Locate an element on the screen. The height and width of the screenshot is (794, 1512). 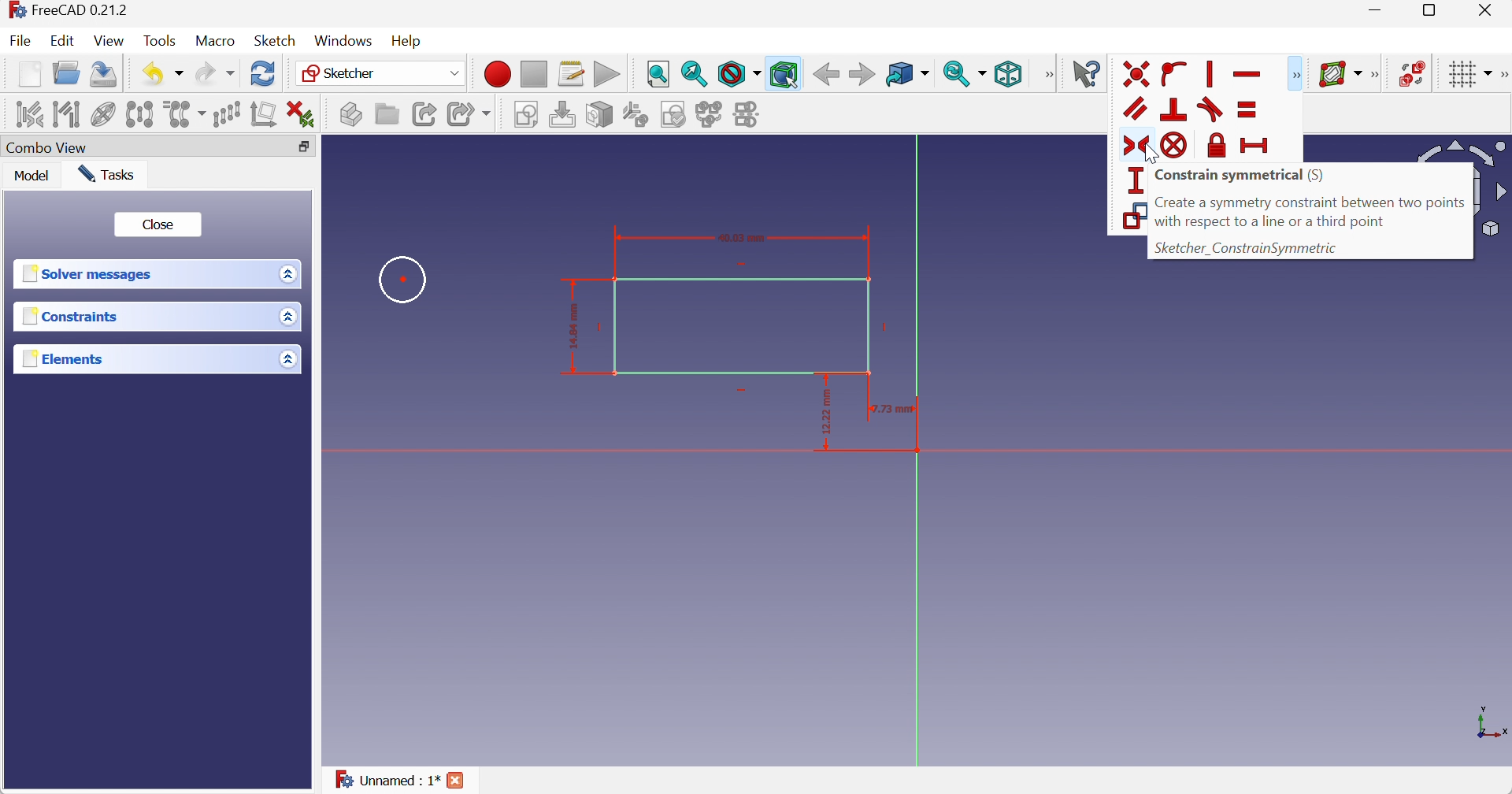
Select associated constraints is located at coordinates (28, 113).